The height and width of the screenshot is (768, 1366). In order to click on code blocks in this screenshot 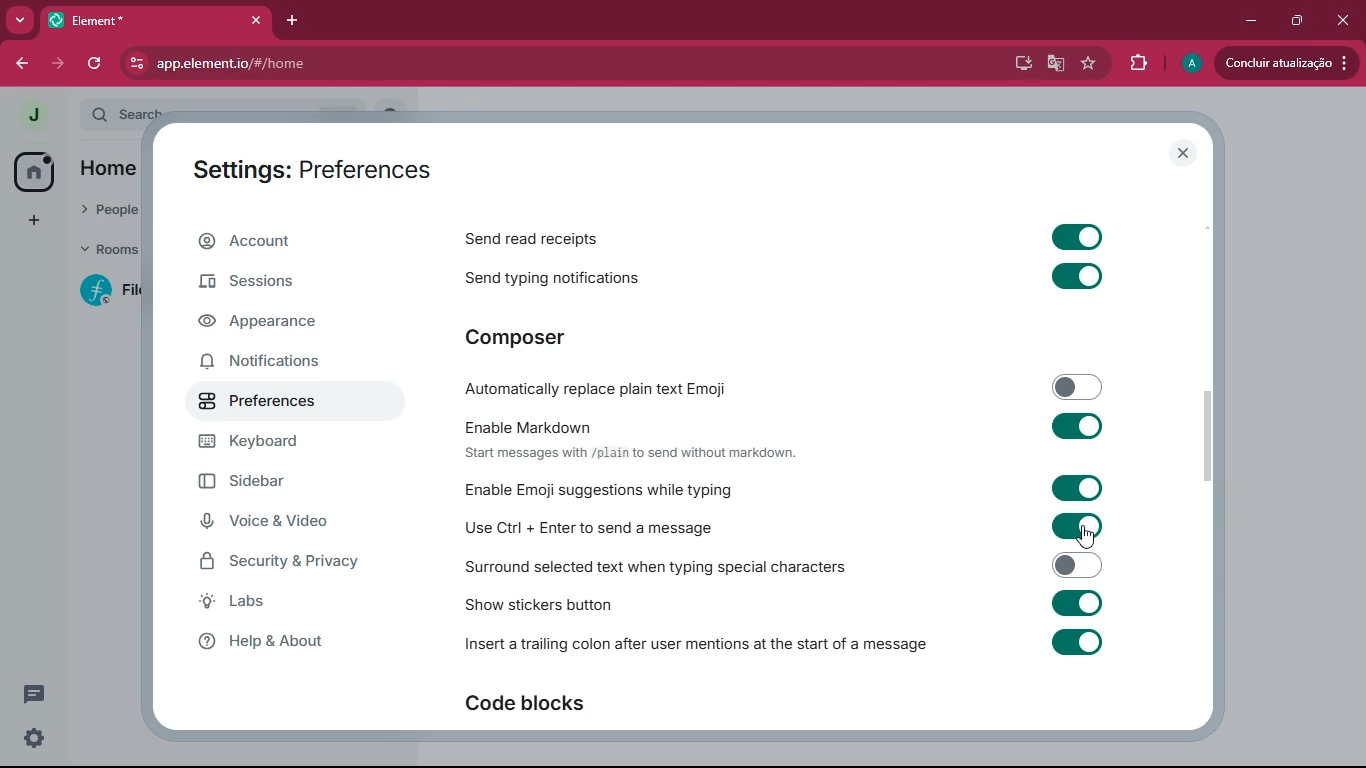, I will do `click(545, 705)`.